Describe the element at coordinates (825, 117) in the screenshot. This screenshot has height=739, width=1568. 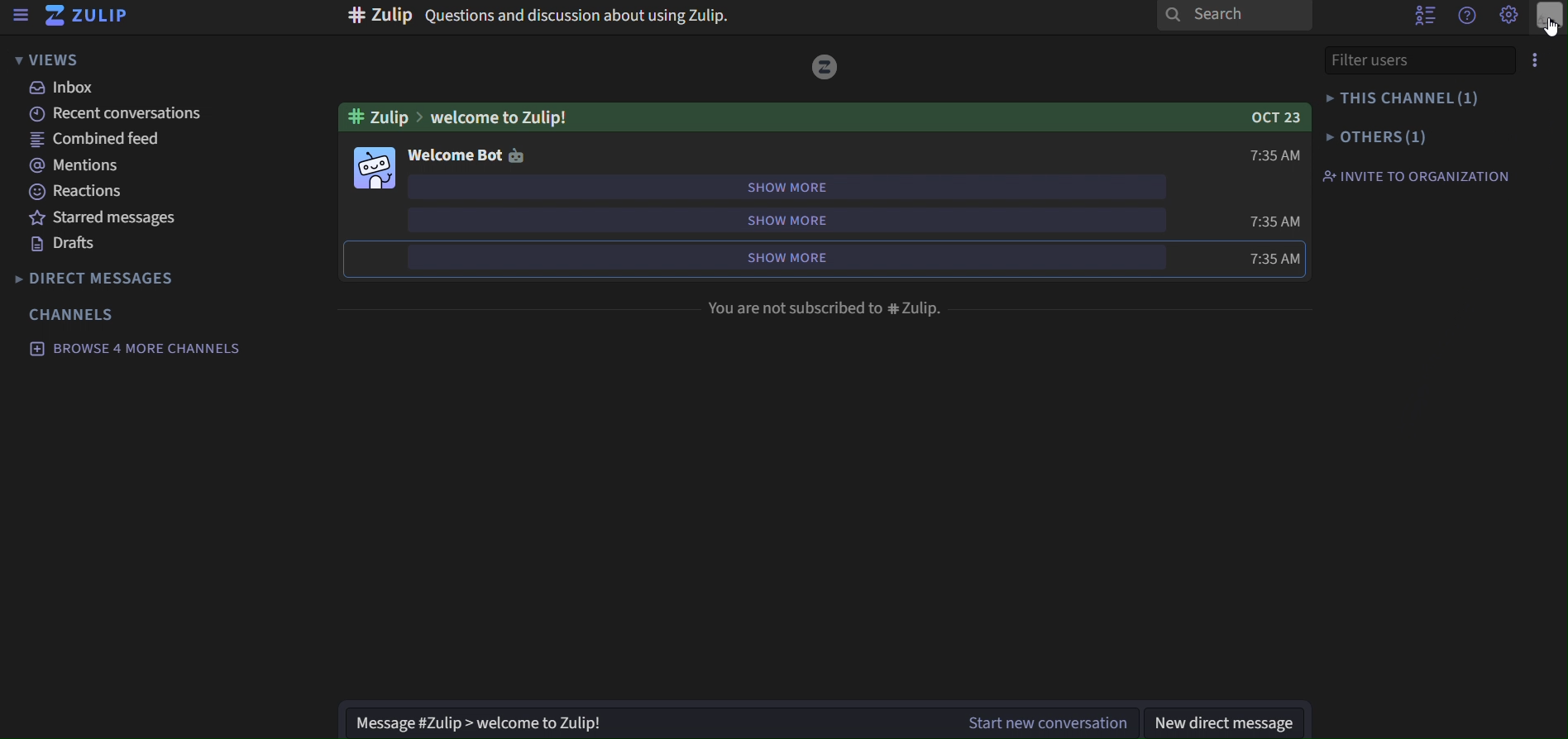
I see `Welcome to Zulip!` at that location.